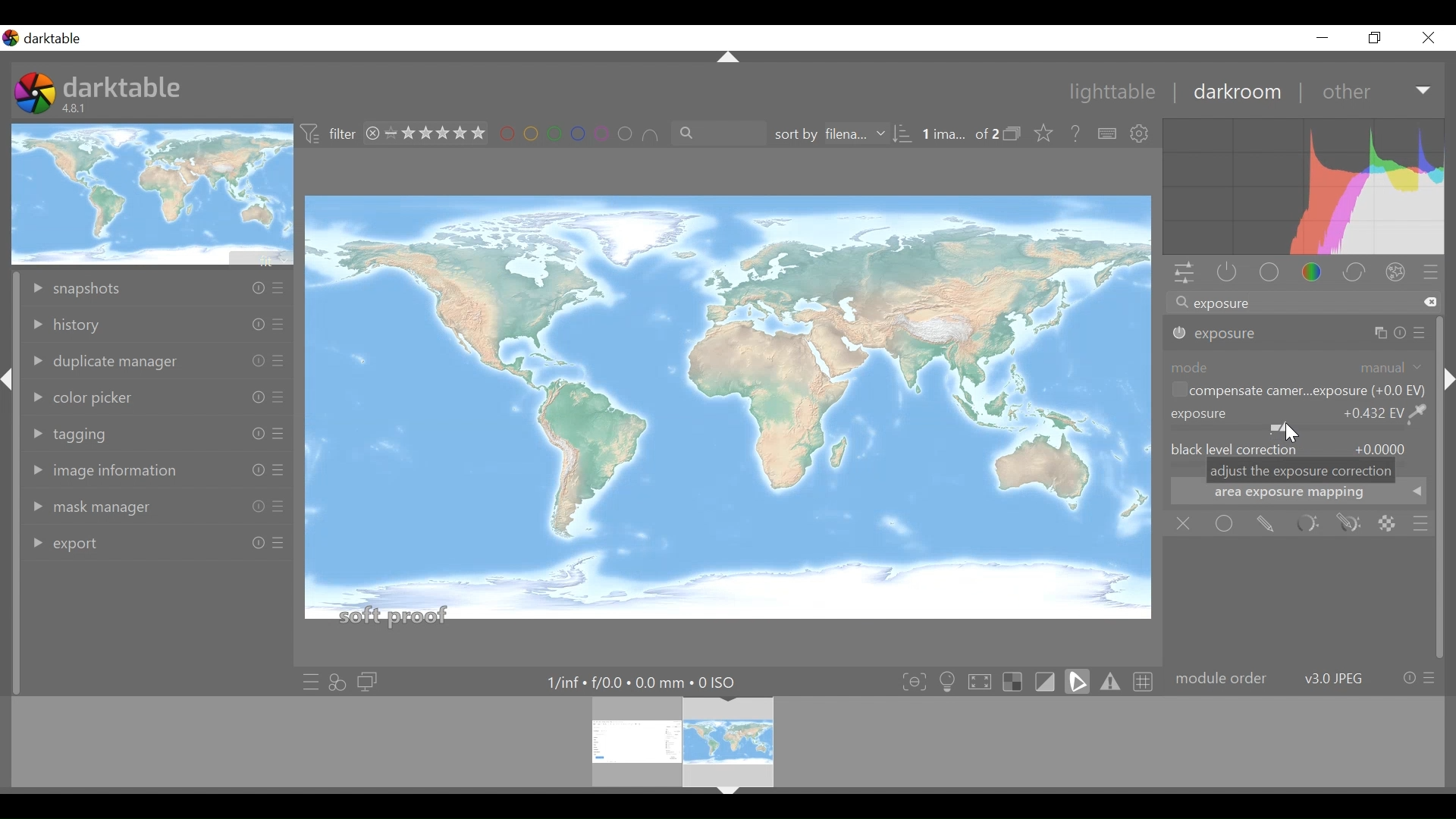  What do you see at coordinates (1113, 93) in the screenshot?
I see `lighttable` at bounding box center [1113, 93].